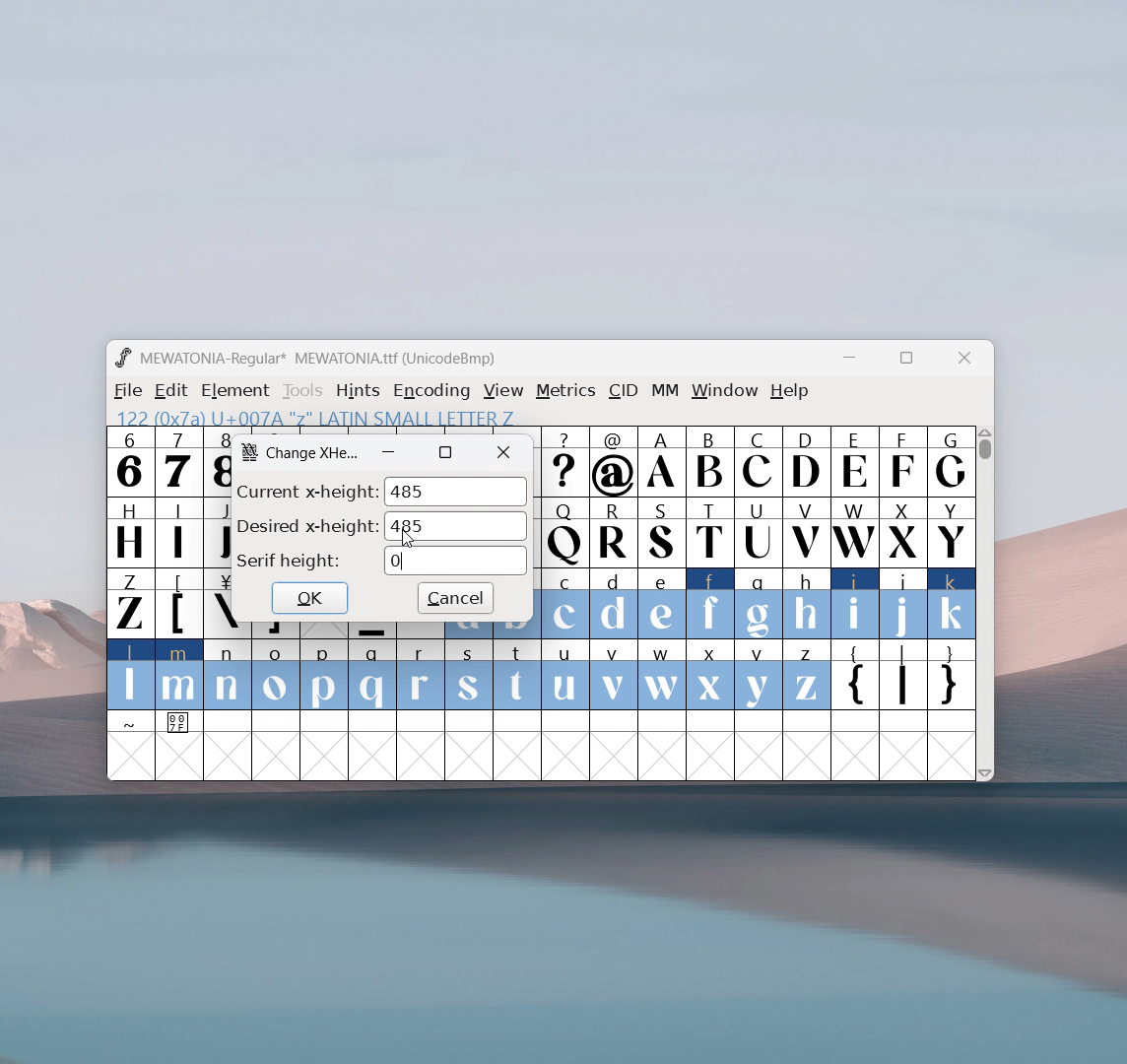 The image size is (1127, 1064). I want to click on C, so click(757, 461).